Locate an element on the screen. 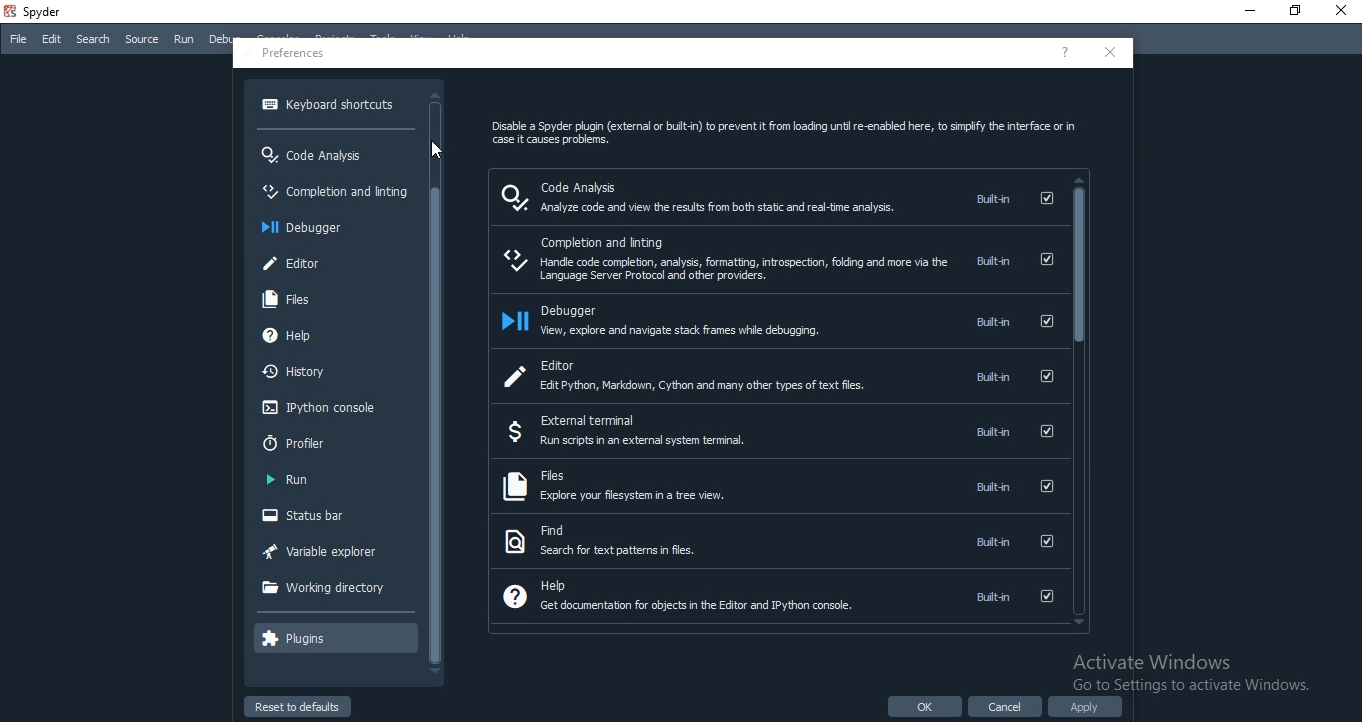  scroll bar is located at coordinates (437, 393).